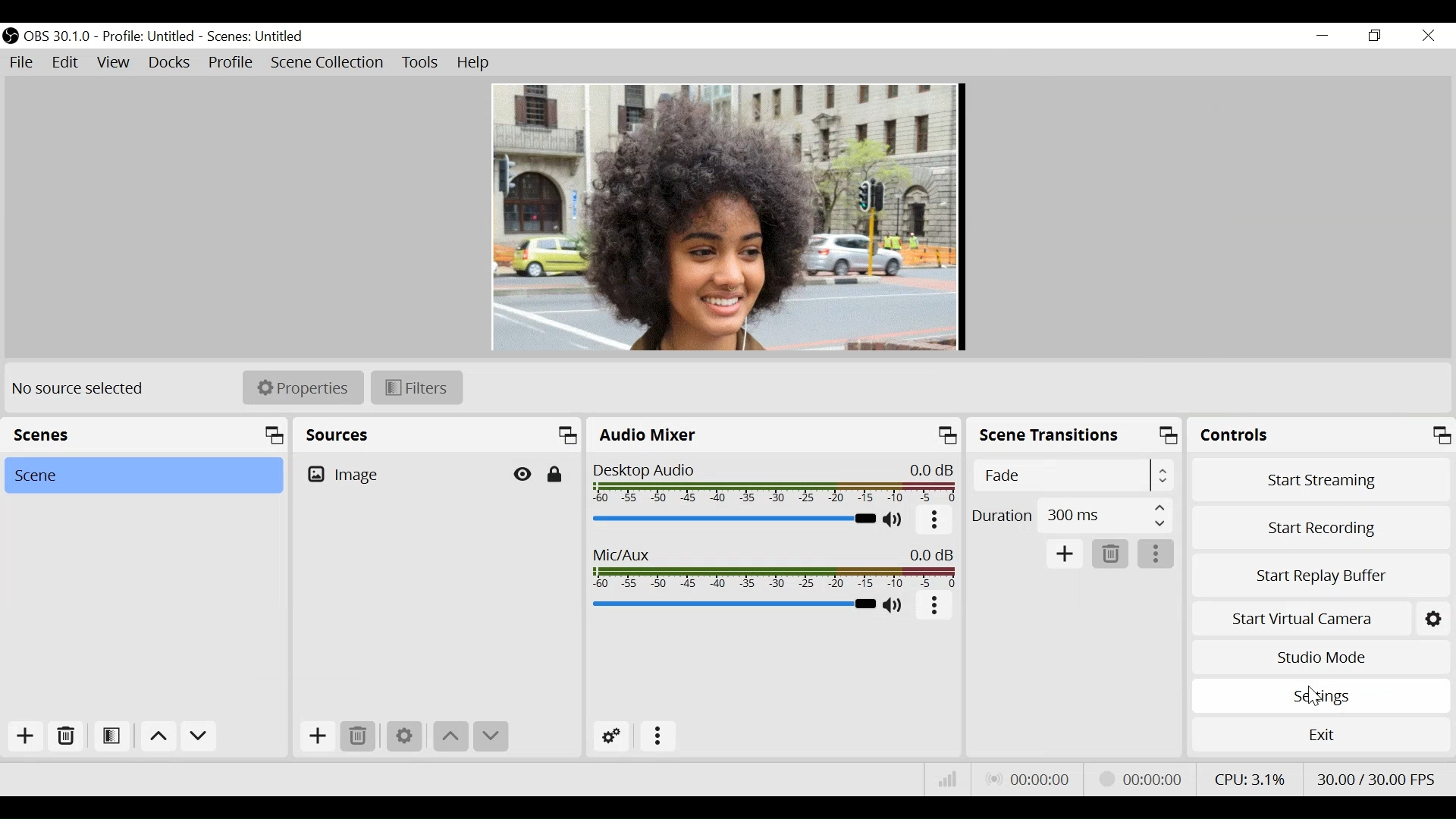 The height and width of the screenshot is (819, 1456). What do you see at coordinates (269, 437) in the screenshot?
I see `Maximize` at bounding box center [269, 437].